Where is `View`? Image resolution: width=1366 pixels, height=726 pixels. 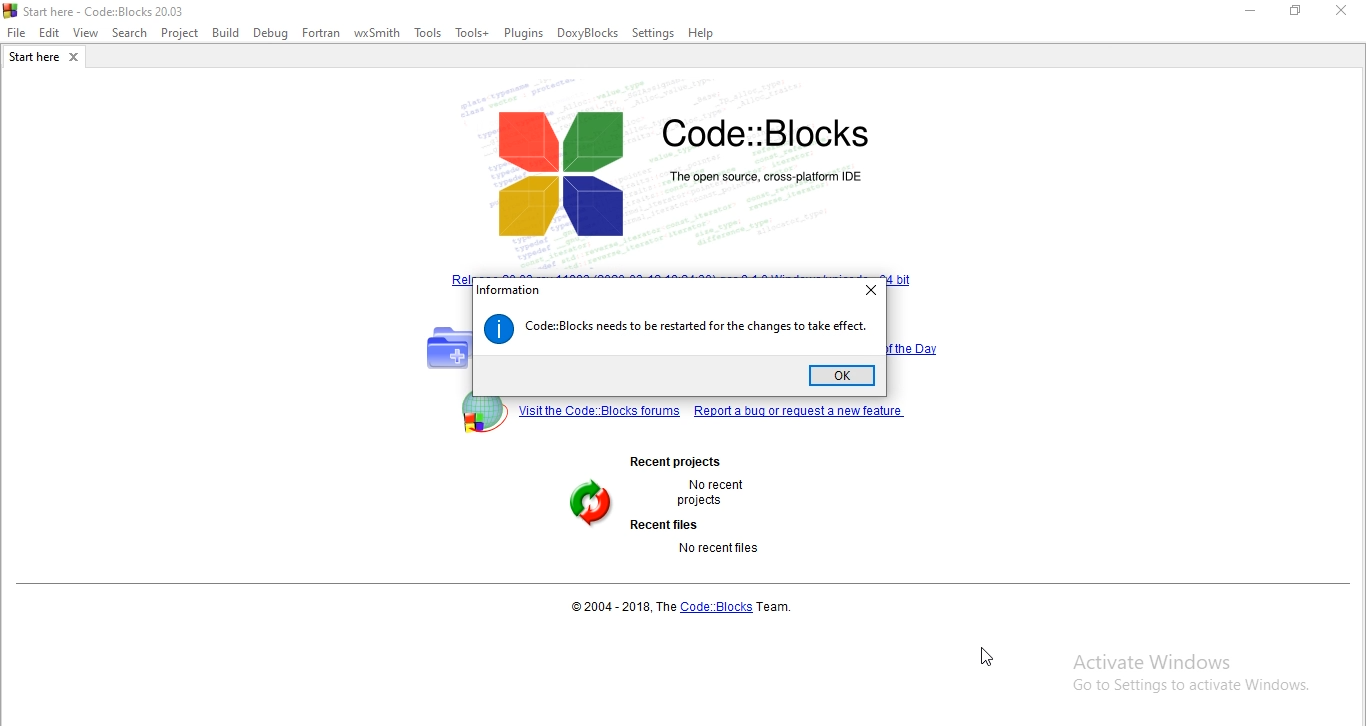 View is located at coordinates (86, 34).